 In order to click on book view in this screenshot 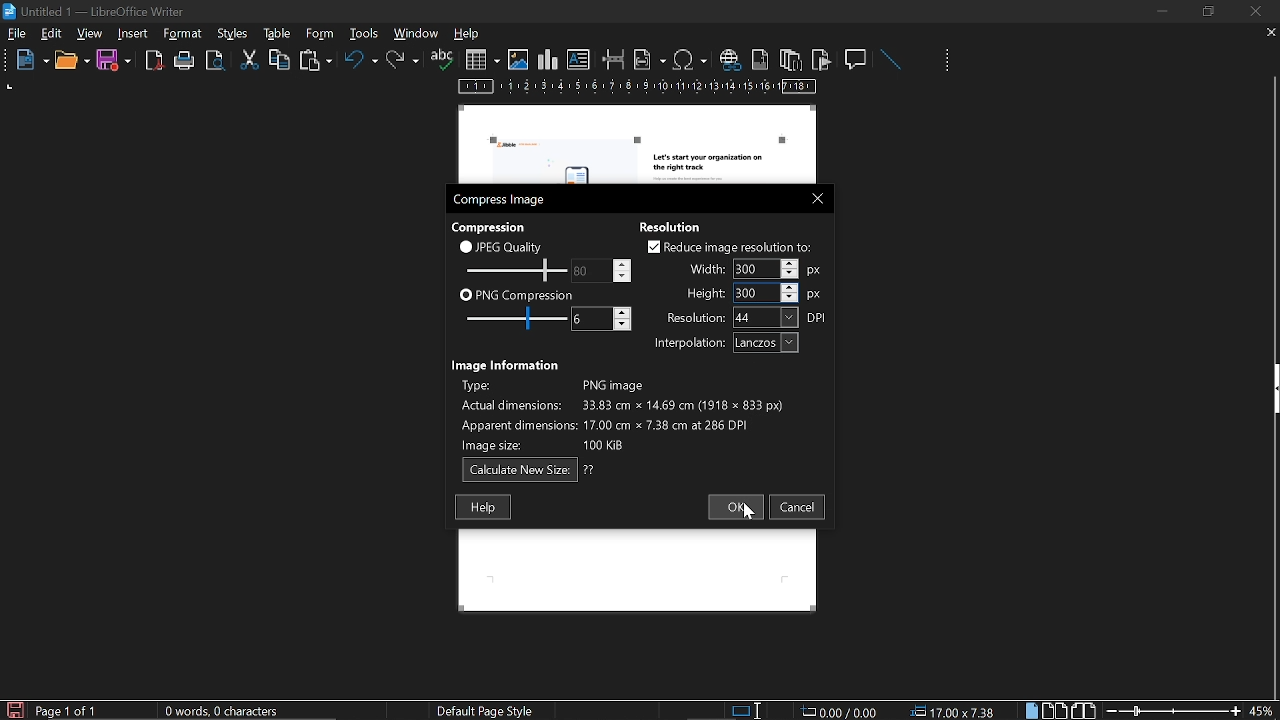, I will do `click(1085, 711)`.